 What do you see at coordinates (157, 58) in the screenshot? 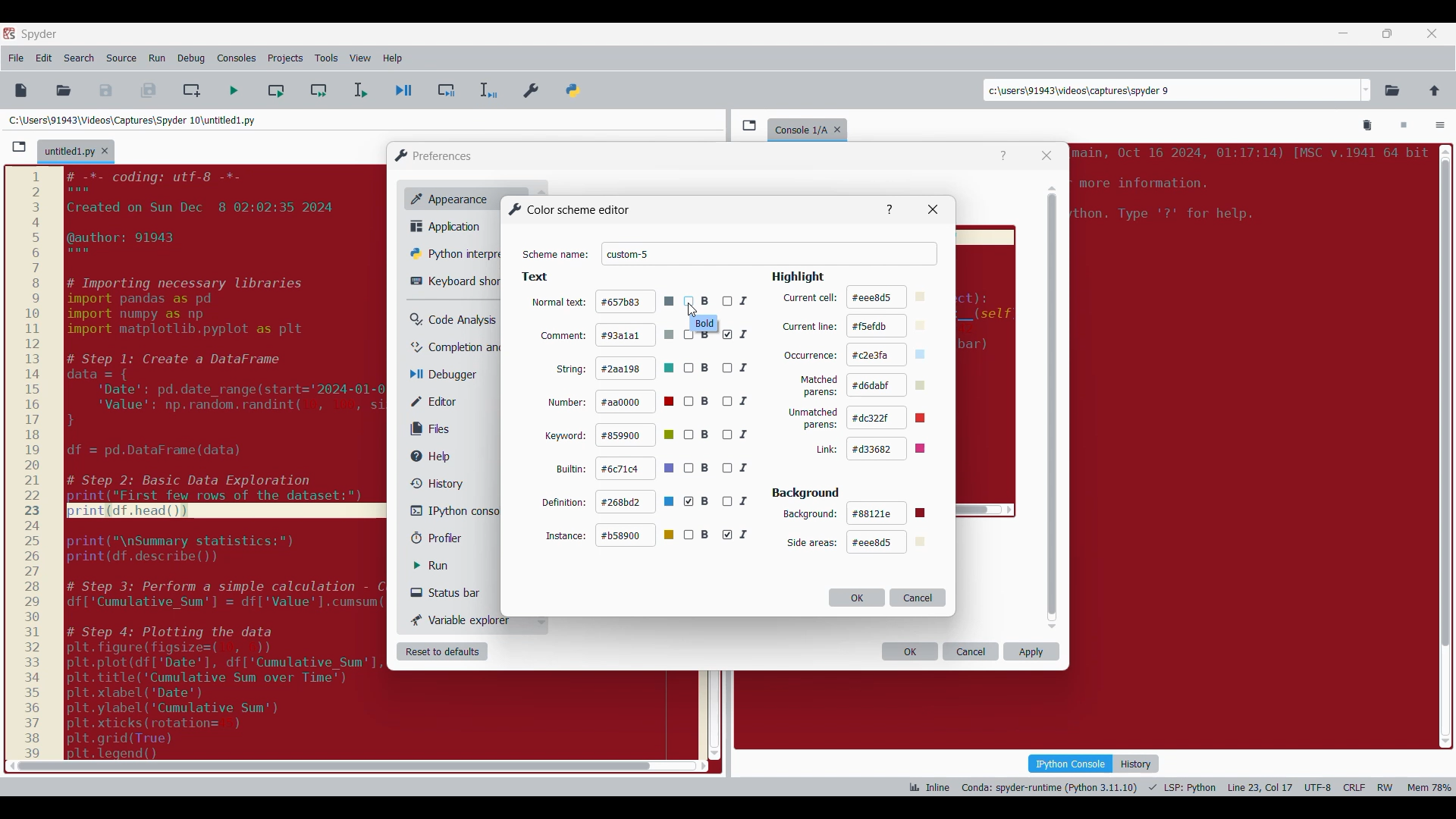
I see `Run menu` at bounding box center [157, 58].